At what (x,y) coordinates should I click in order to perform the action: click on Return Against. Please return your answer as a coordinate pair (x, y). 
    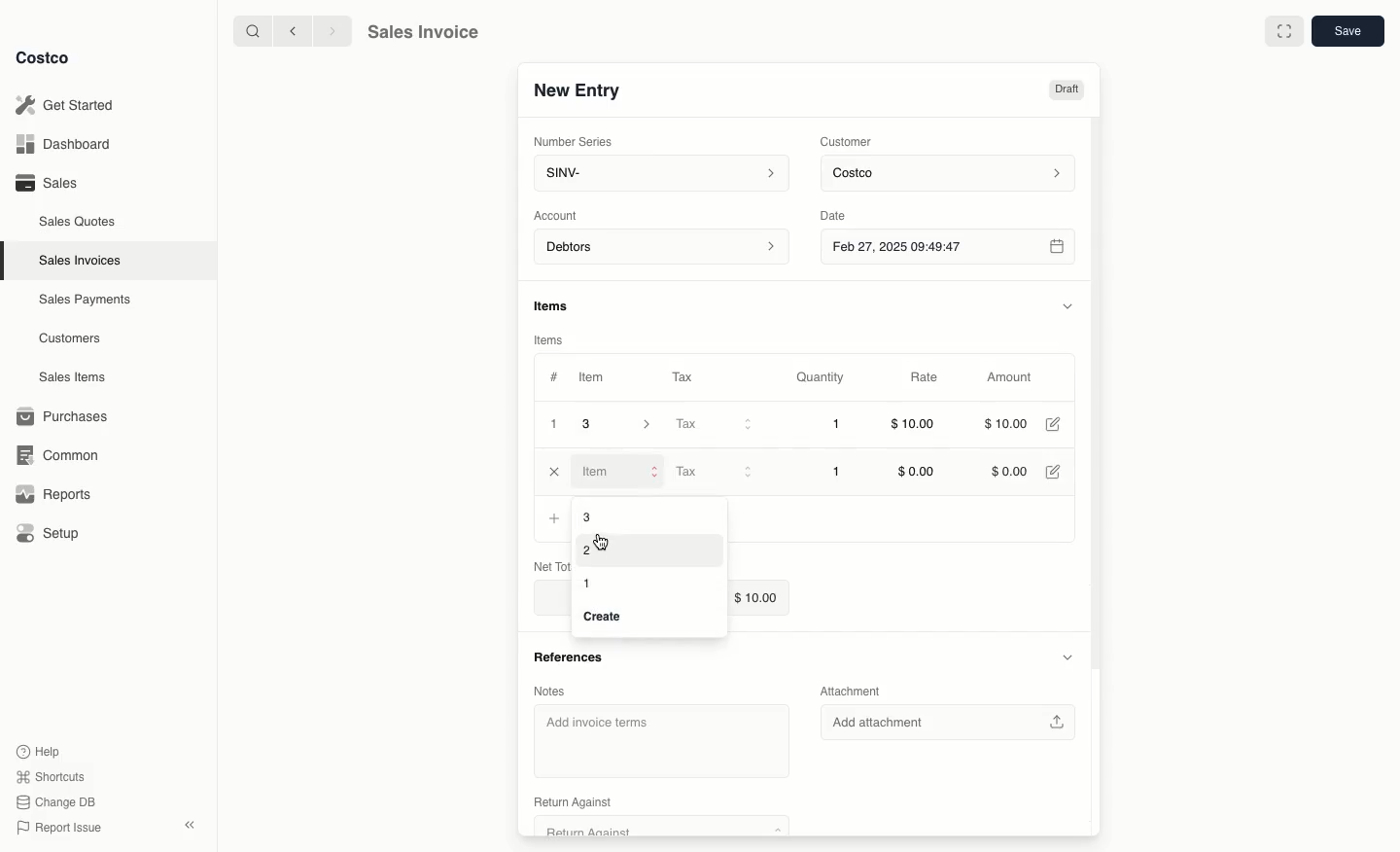
    Looking at the image, I should click on (649, 828).